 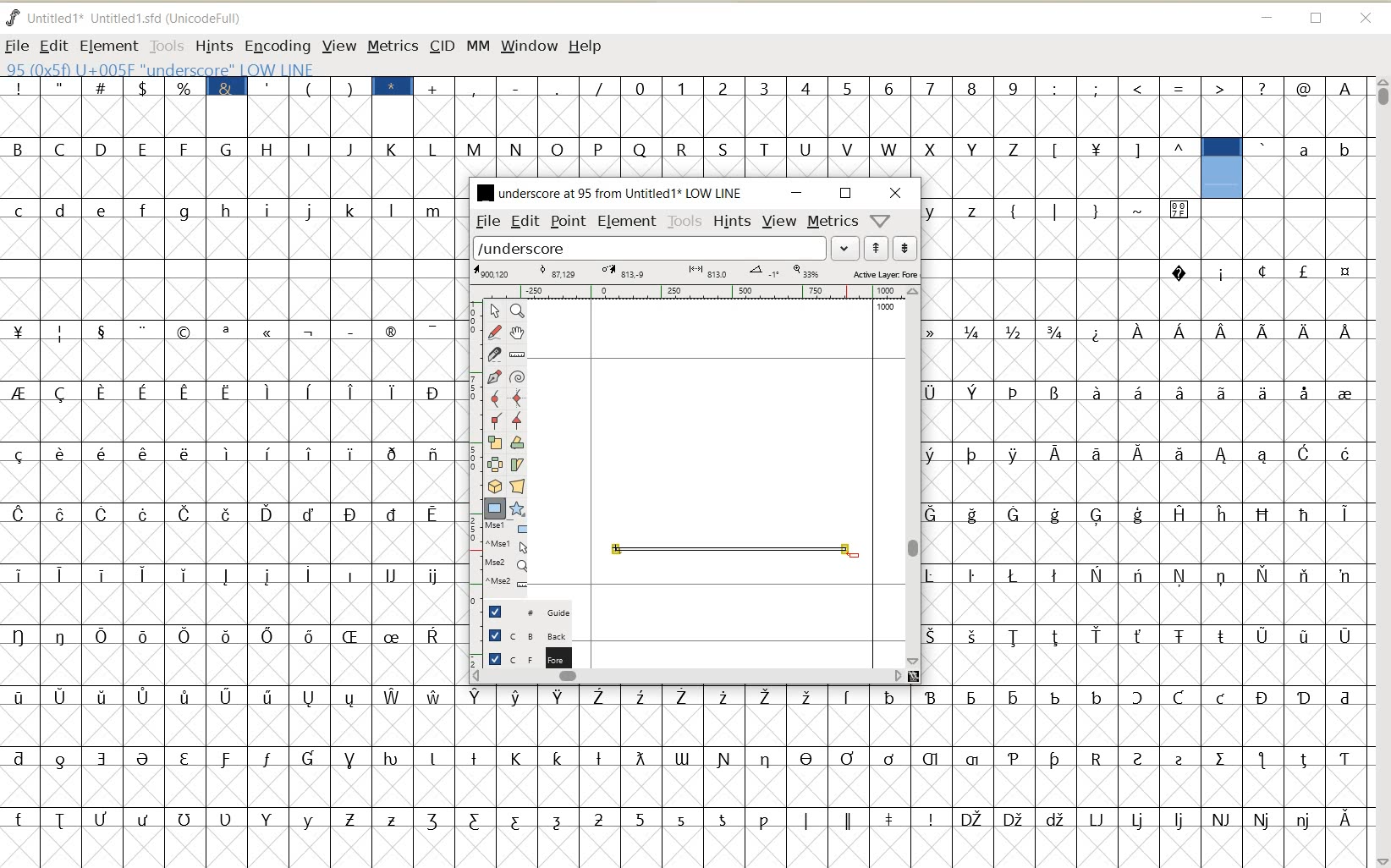 I want to click on MM, so click(x=476, y=45).